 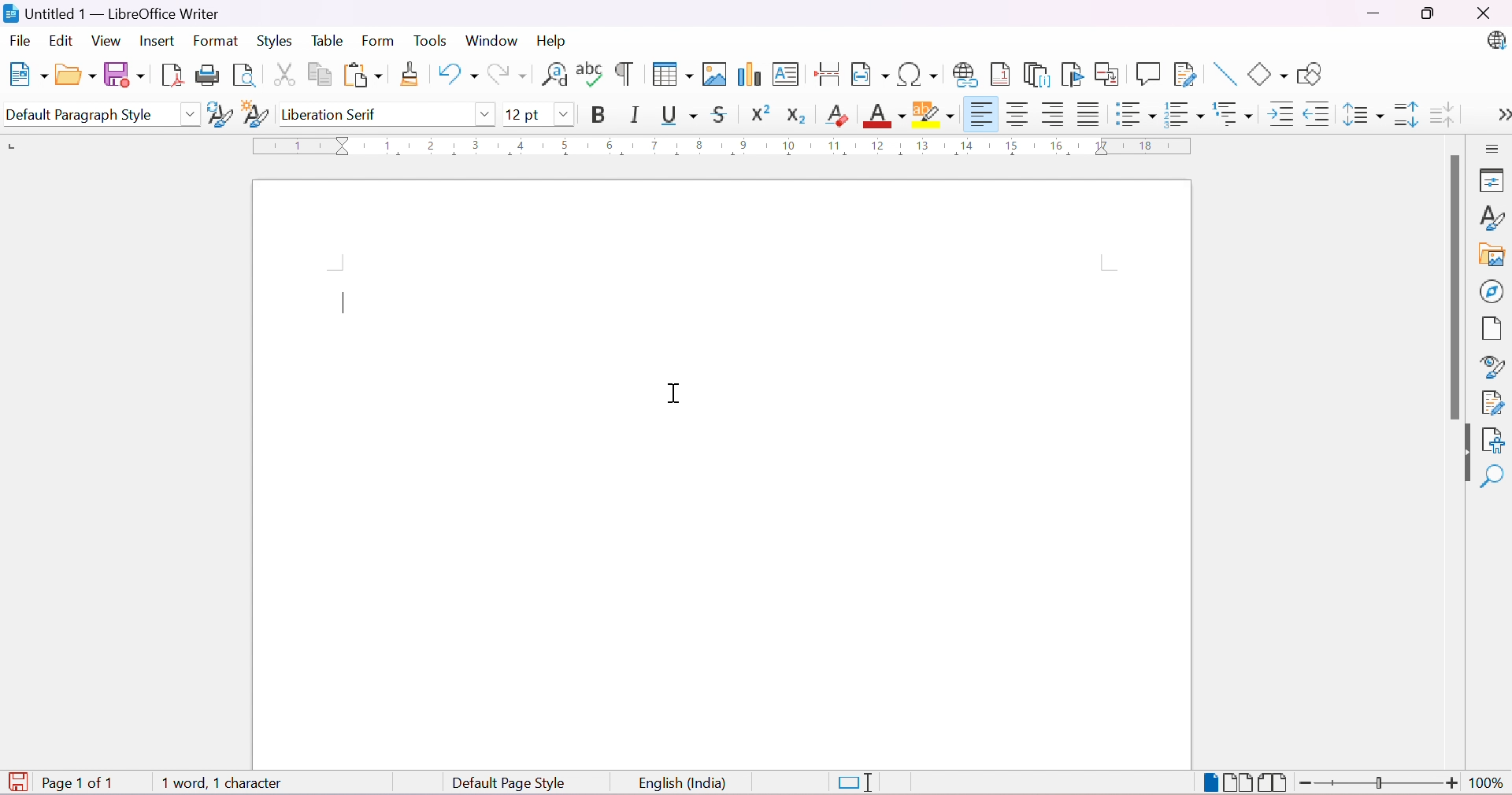 I want to click on Default Paragraph Style, so click(x=86, y=115).